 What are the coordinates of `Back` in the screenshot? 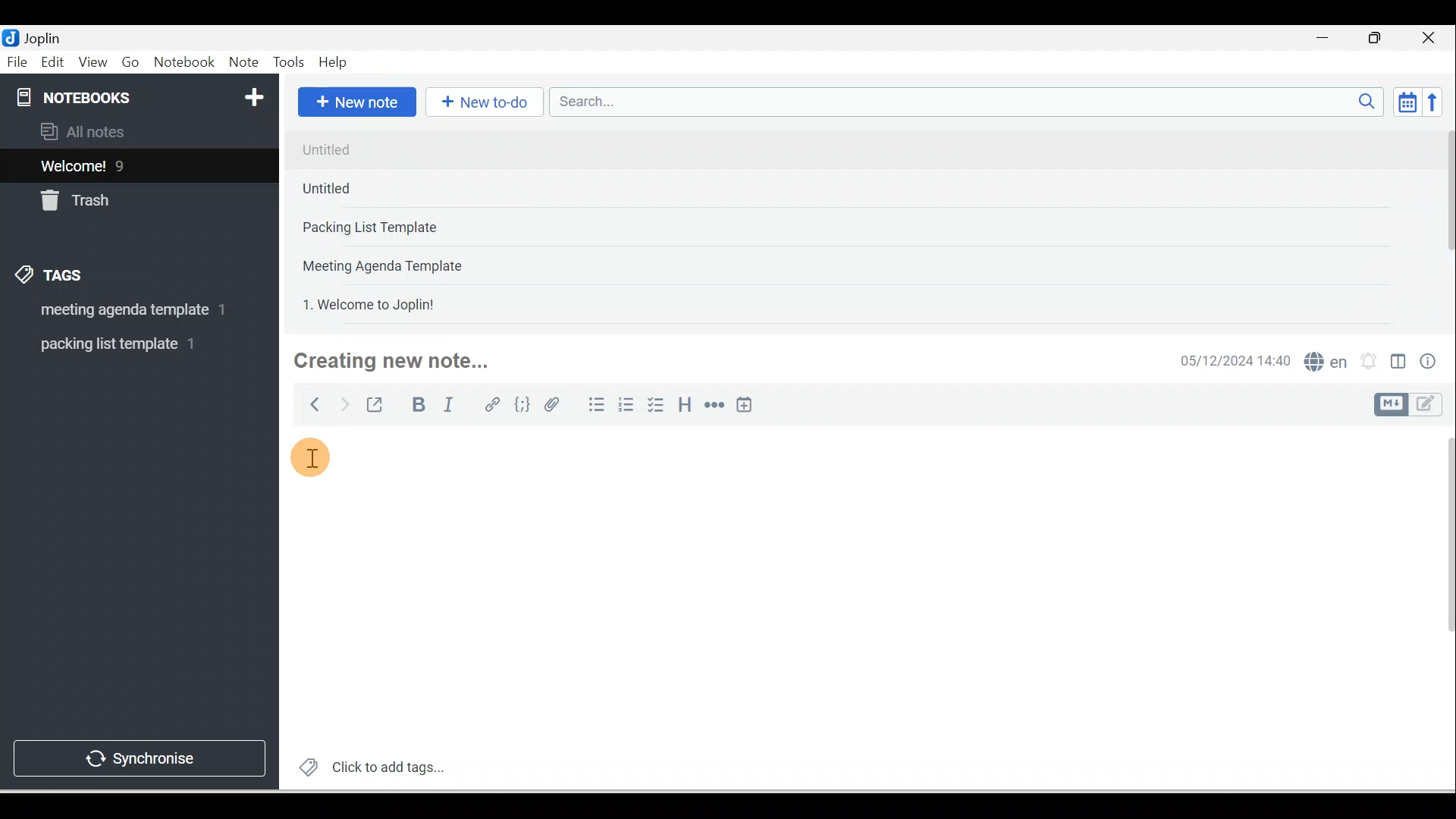 It's located at (308, 404).